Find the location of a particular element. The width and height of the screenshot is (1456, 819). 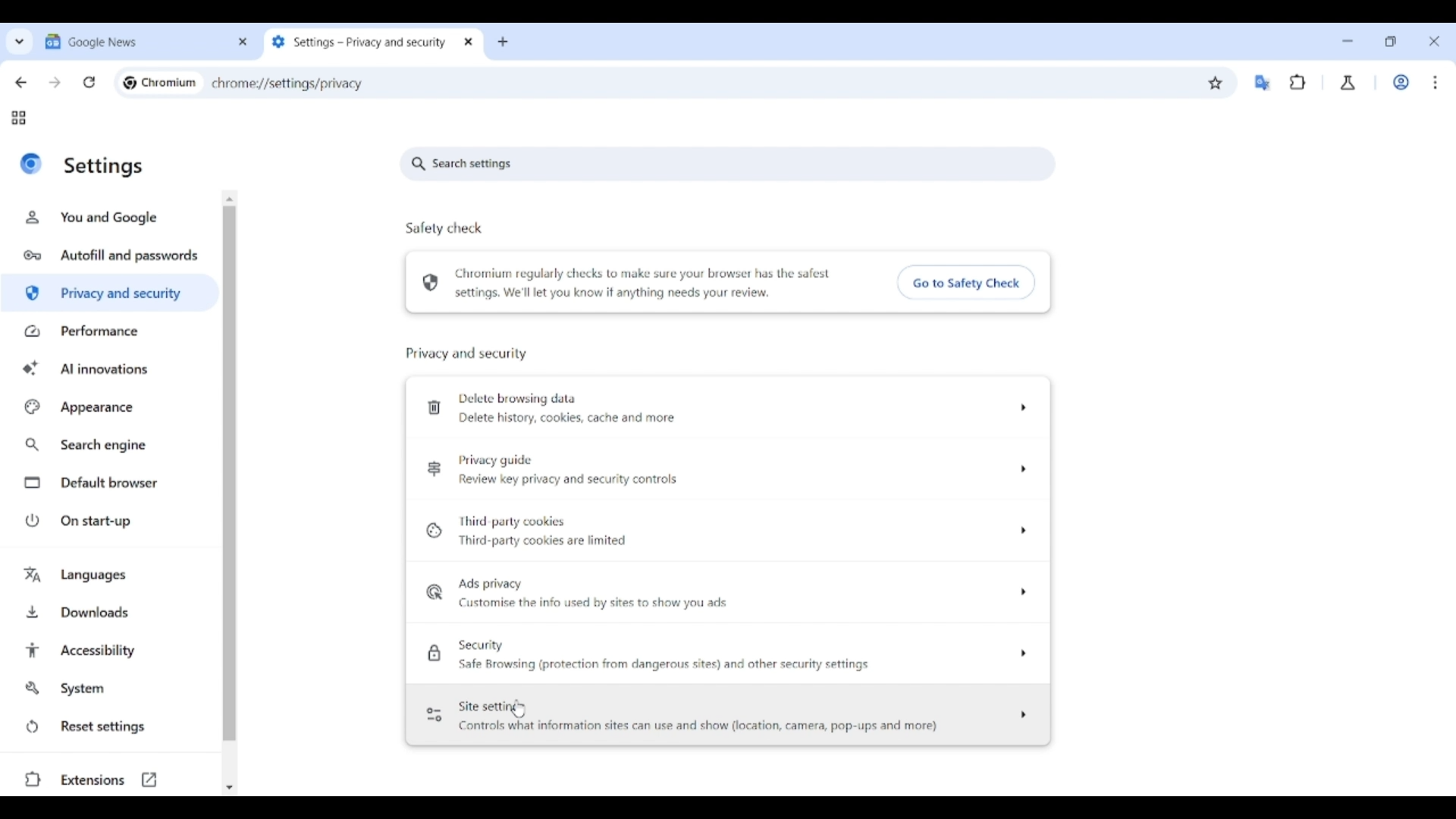

System is located at coordinates (109, 689).